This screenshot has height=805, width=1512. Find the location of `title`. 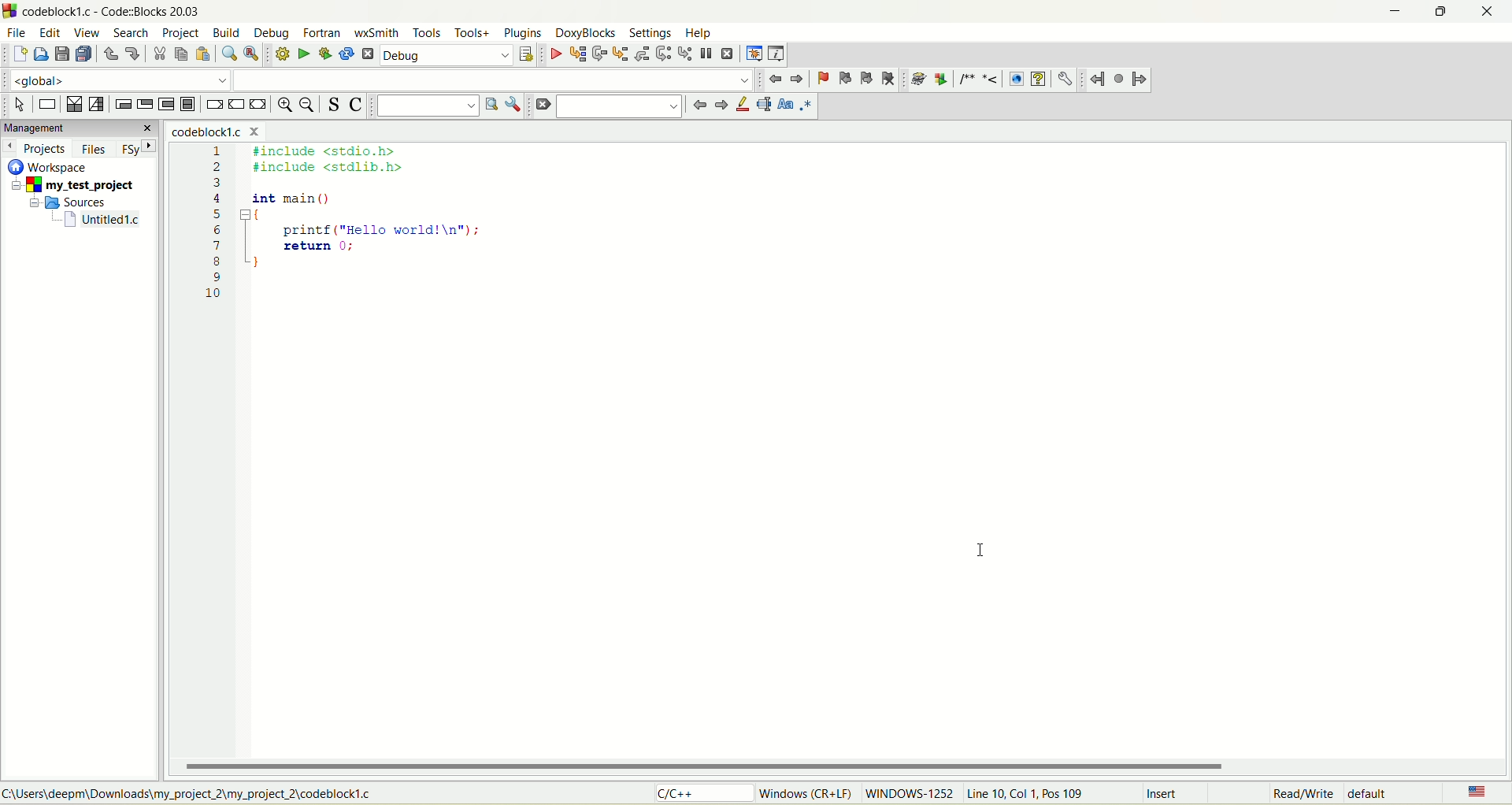

title is located at coordinates (103, 220).